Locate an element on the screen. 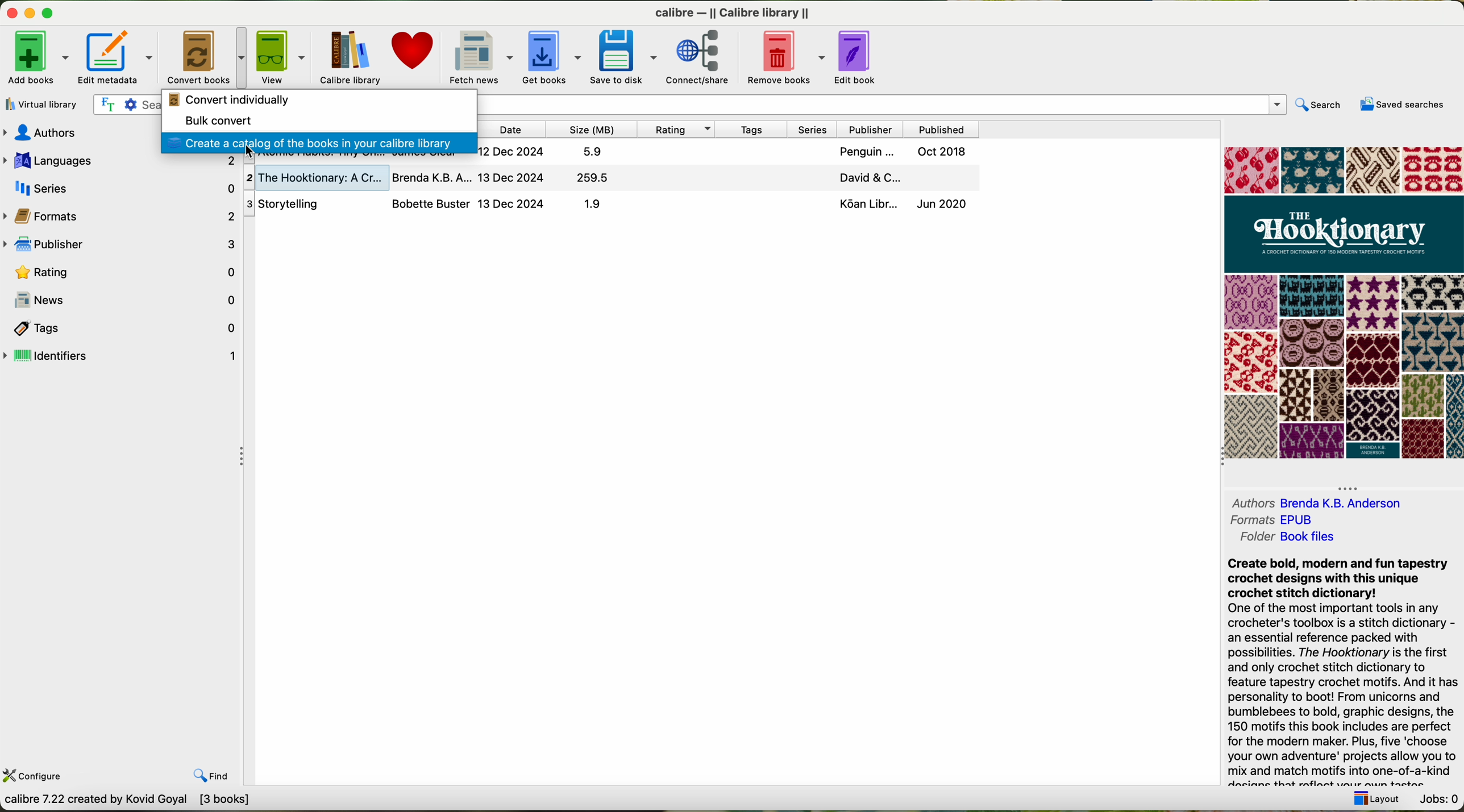  maximize Calibre is located at coordinates (50, 11).